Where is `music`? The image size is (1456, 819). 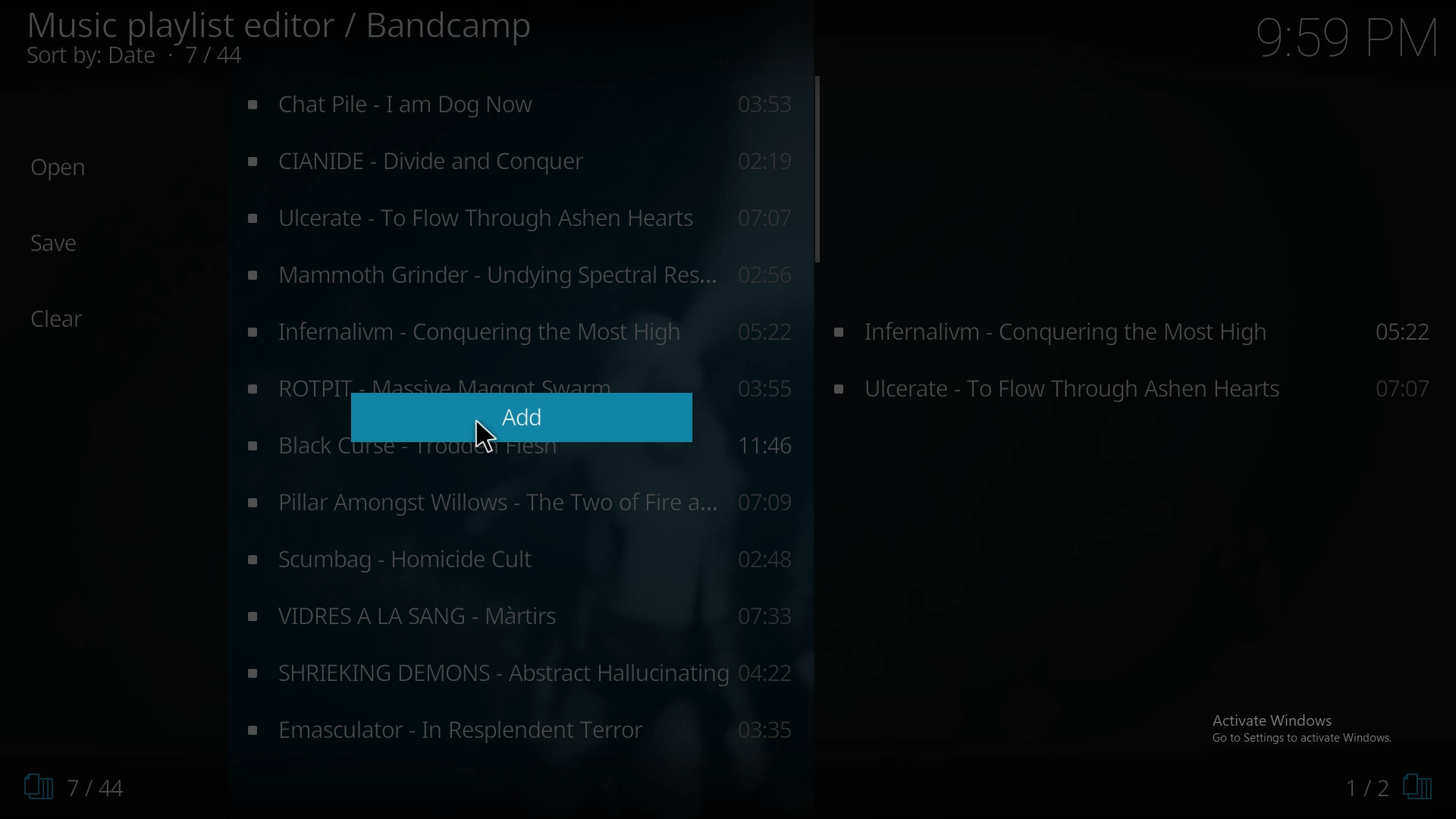 music is located at coordinates (522, 102).